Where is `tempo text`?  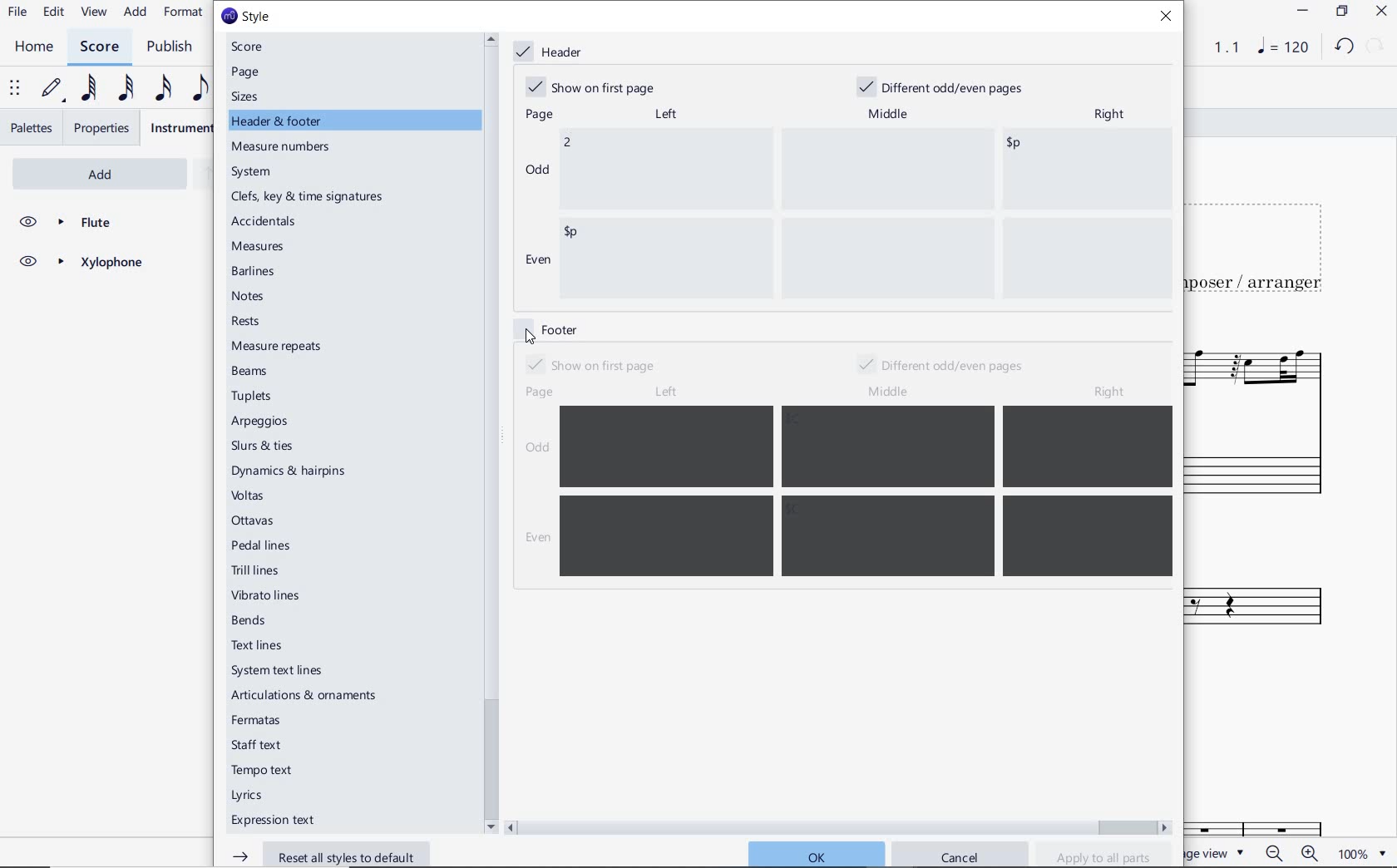
tempo text is located at coordinates (264, 772).